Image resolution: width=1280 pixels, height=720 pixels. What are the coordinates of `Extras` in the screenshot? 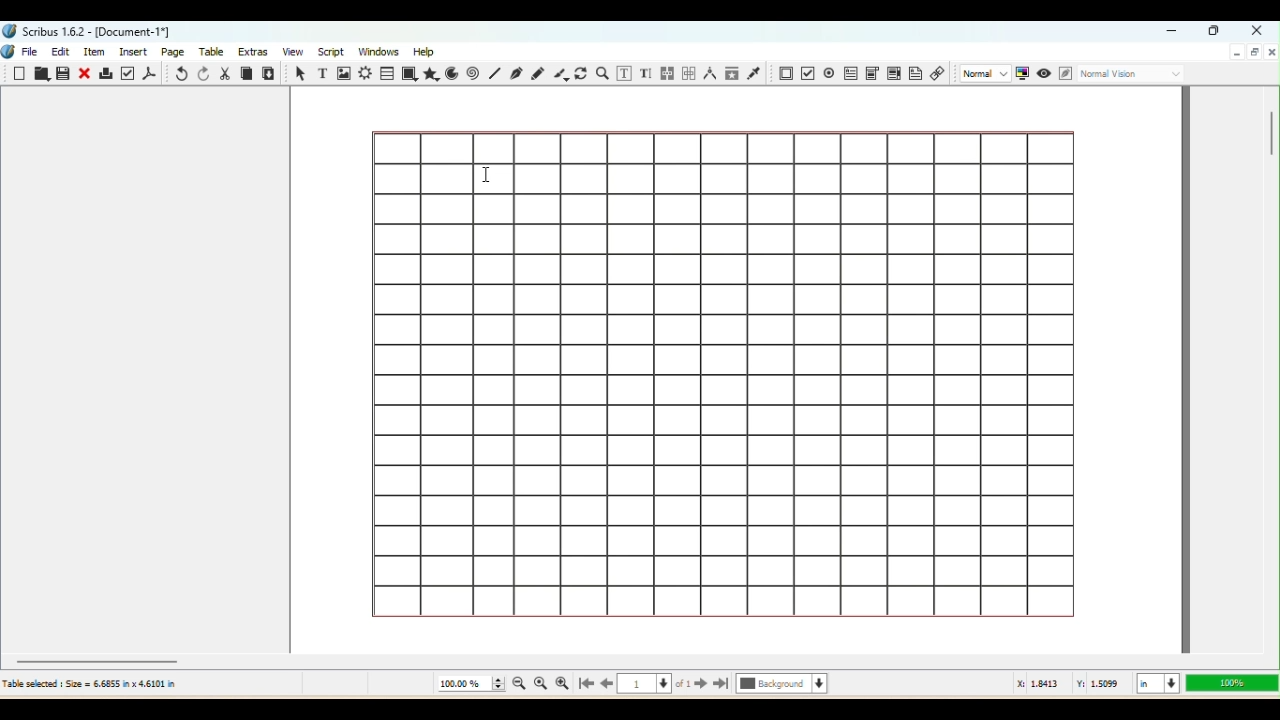 It's located at (255, 51).